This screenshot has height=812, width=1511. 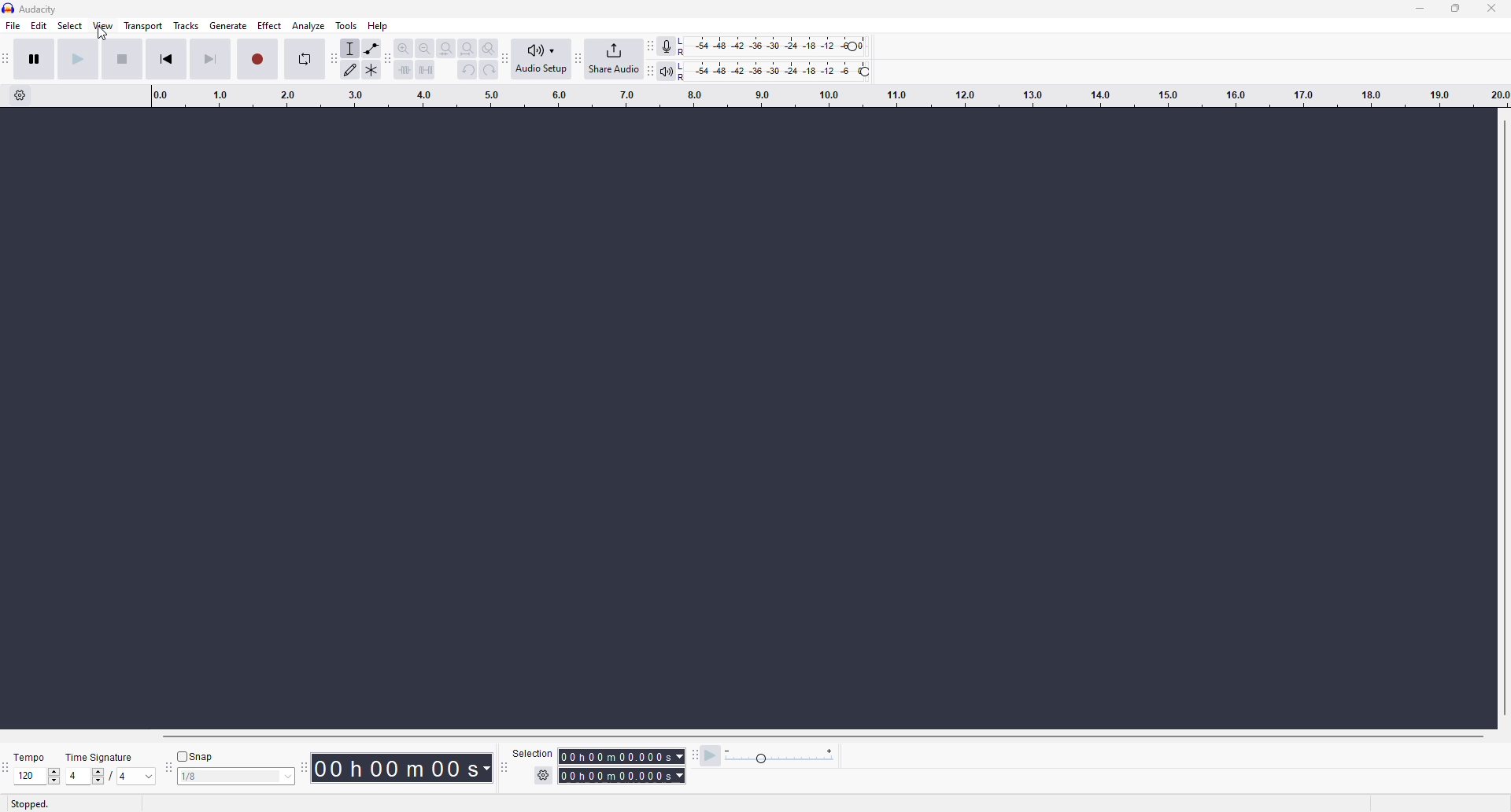 I want to click on playback speed, so click(x=781, y=756).